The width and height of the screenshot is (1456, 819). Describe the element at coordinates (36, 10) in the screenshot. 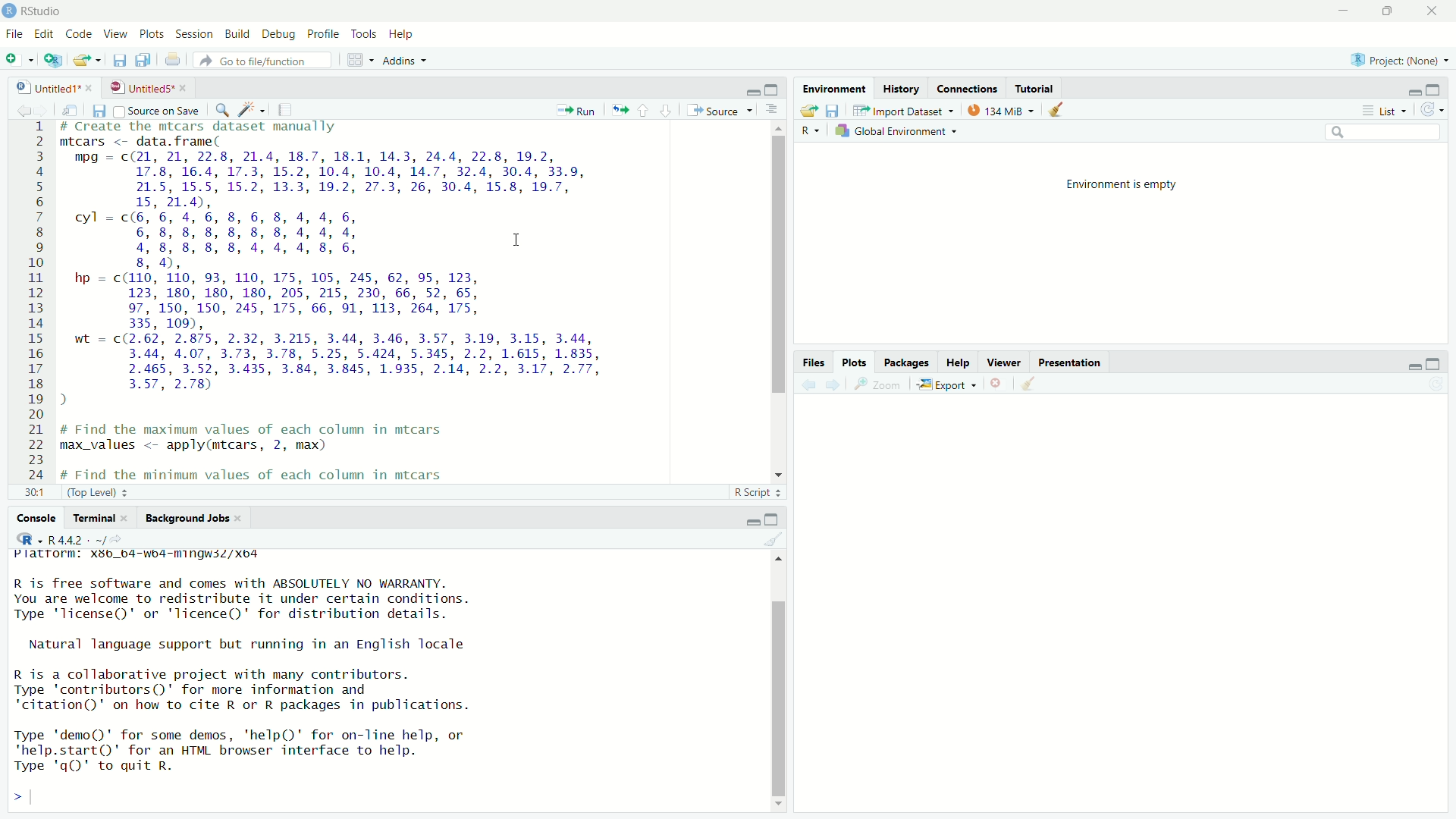

I see `) RStudio` at that location.